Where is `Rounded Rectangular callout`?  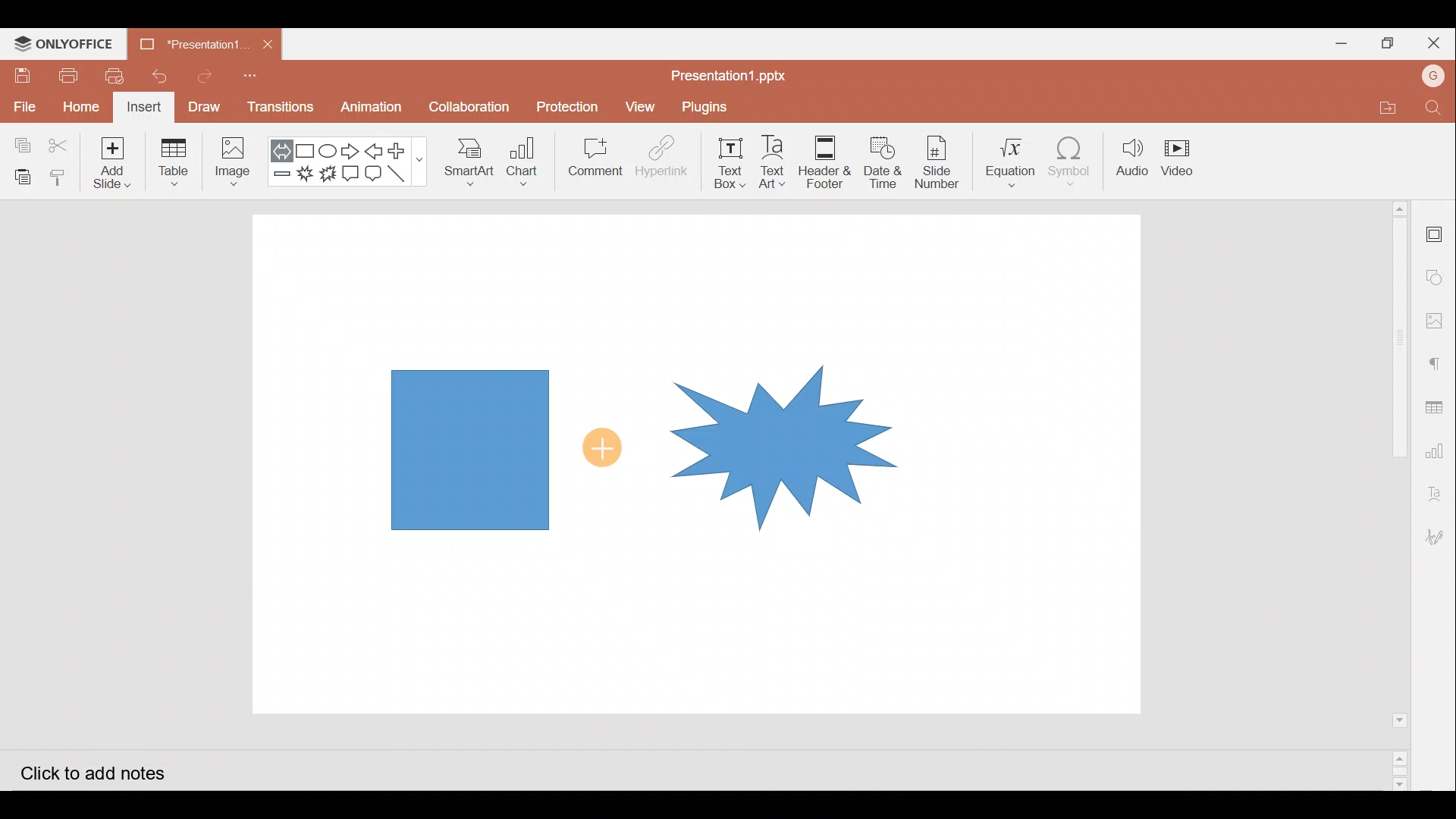
Rounded Rectangular callout is located at coordinates (376, 171).